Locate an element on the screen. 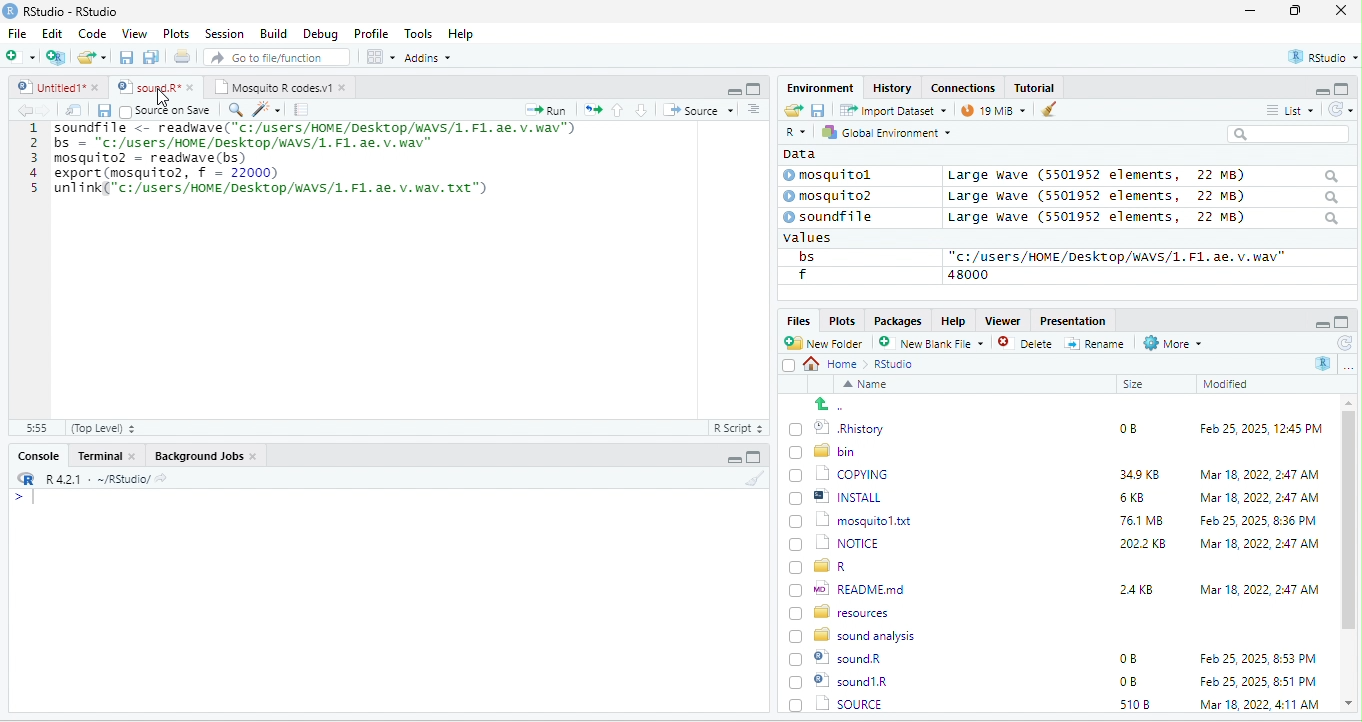  scroll bar is located at coordinates (1349, 554).